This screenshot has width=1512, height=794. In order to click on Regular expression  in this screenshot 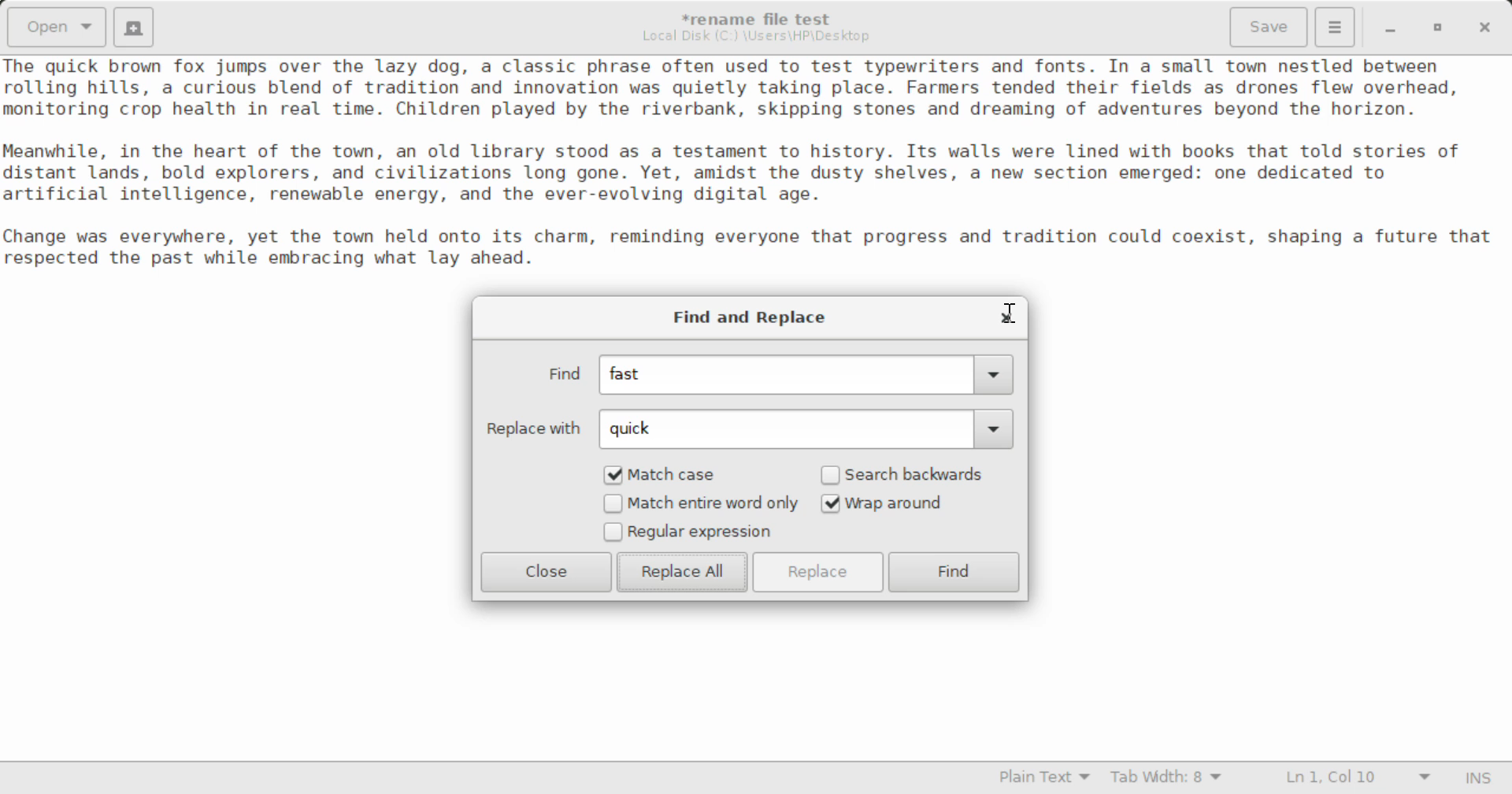, I will do `click(688, 533)`.